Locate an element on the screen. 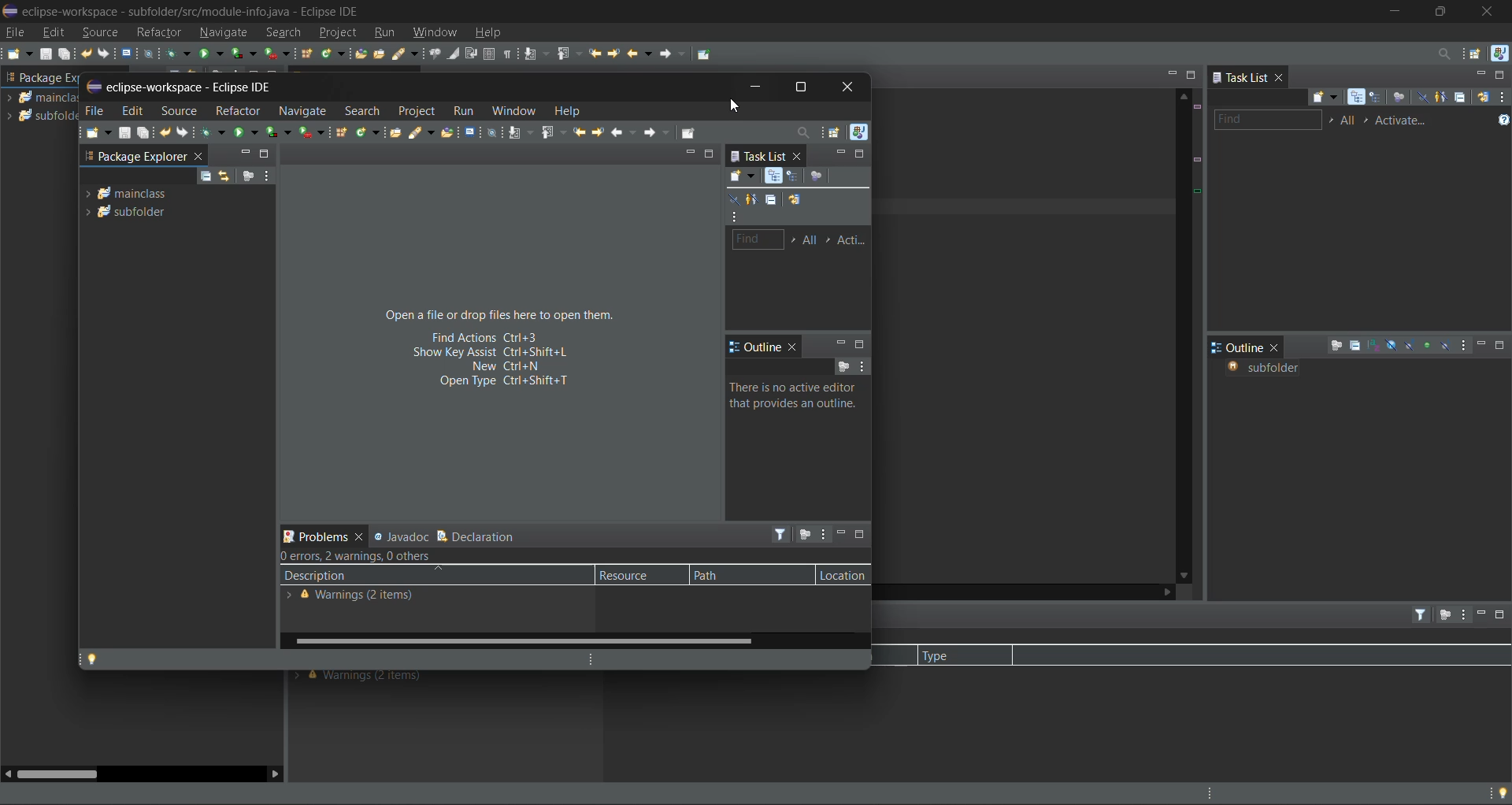  save all is located at coordinates (66, 54).